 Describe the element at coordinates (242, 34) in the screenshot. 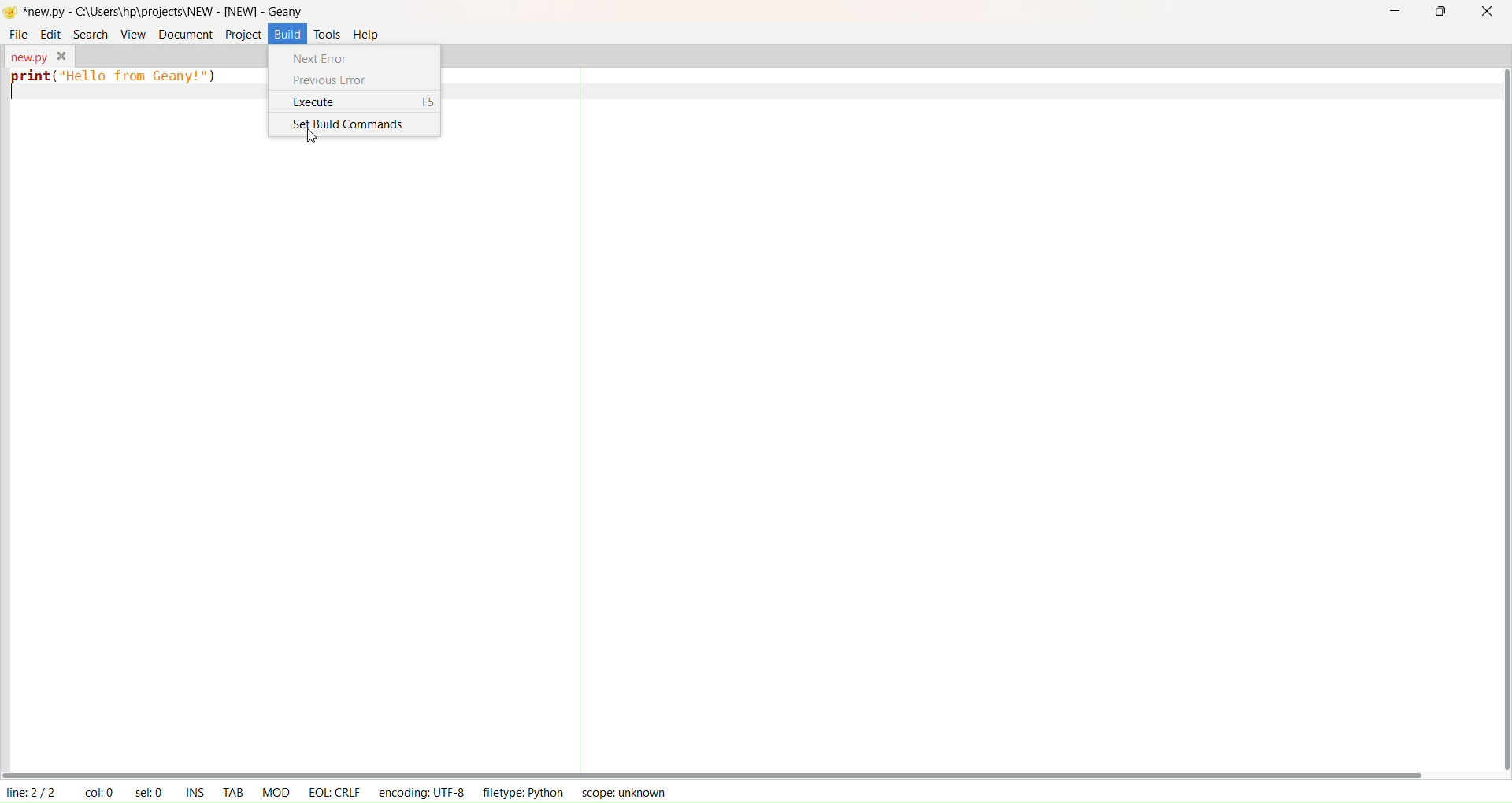

I see `project` at that location.